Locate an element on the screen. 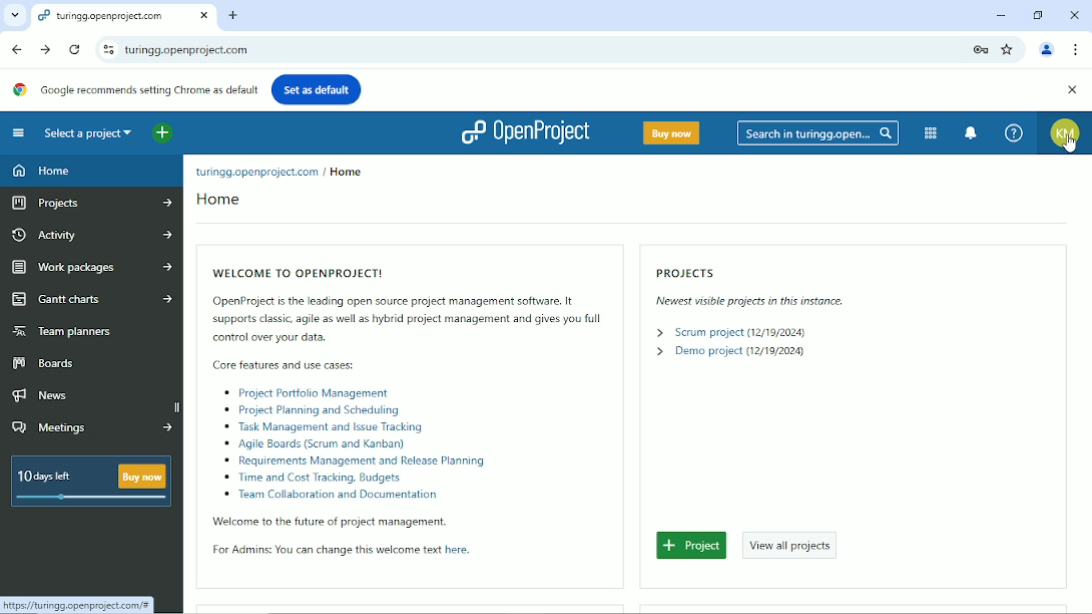 This screenshot has height=614, width=1092. Open quick add menu is located at coordinates (162, 134).